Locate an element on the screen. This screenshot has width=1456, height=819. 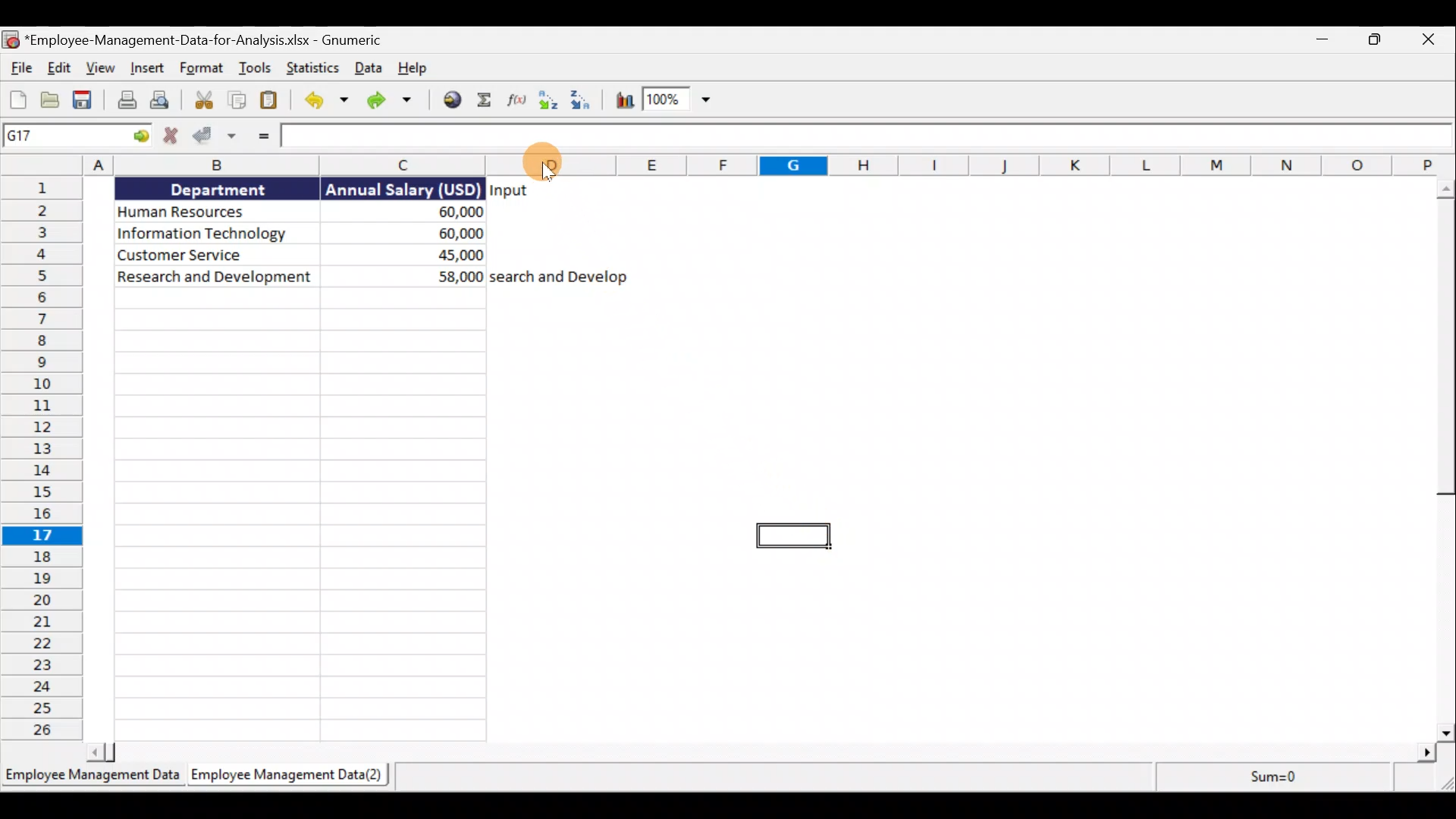
Data is located at coordinates (368, 66).